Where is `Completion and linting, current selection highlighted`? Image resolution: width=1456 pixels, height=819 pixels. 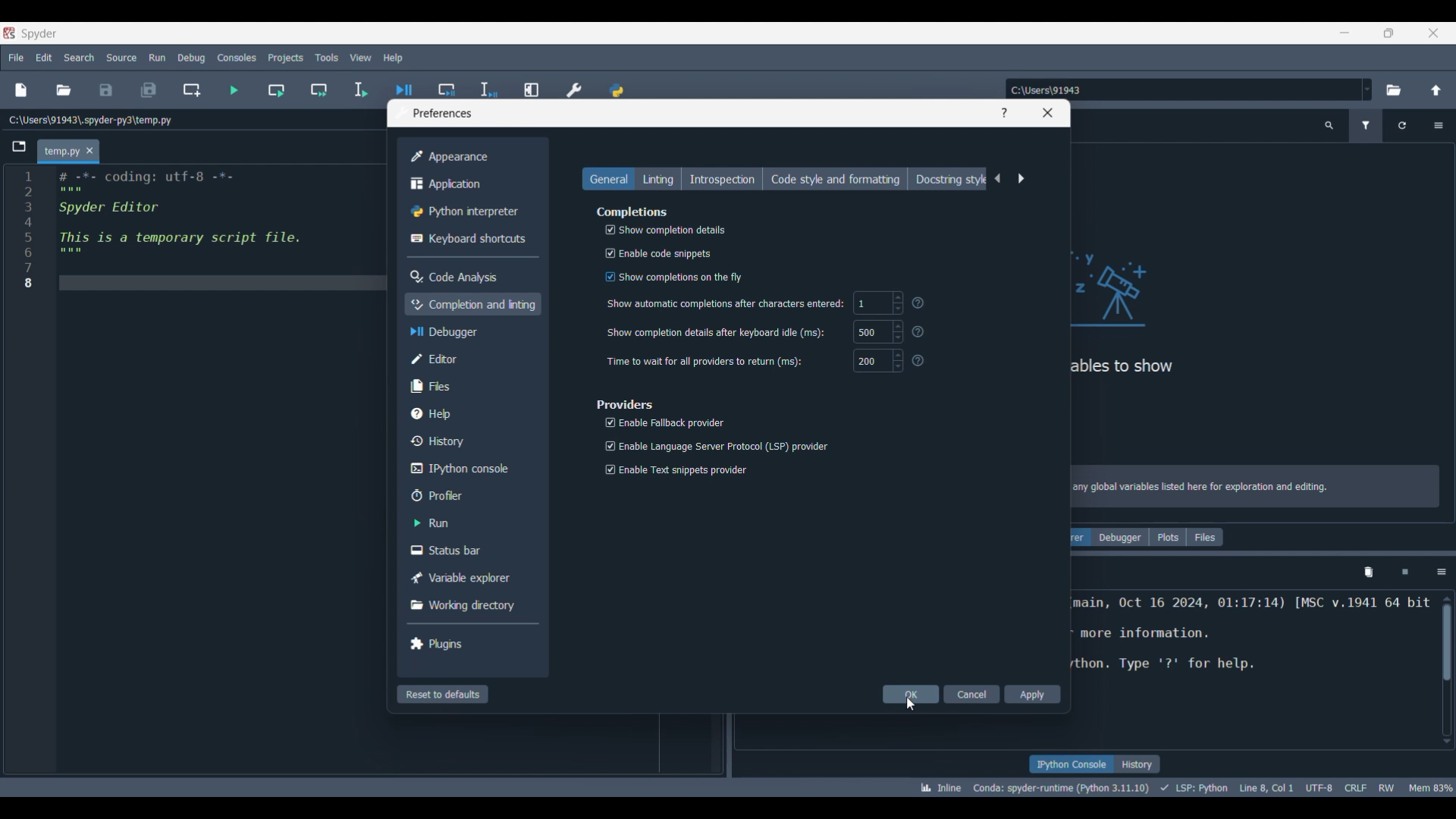
Completion and linting, current selection highlighted is located at coordinates (472, 304).